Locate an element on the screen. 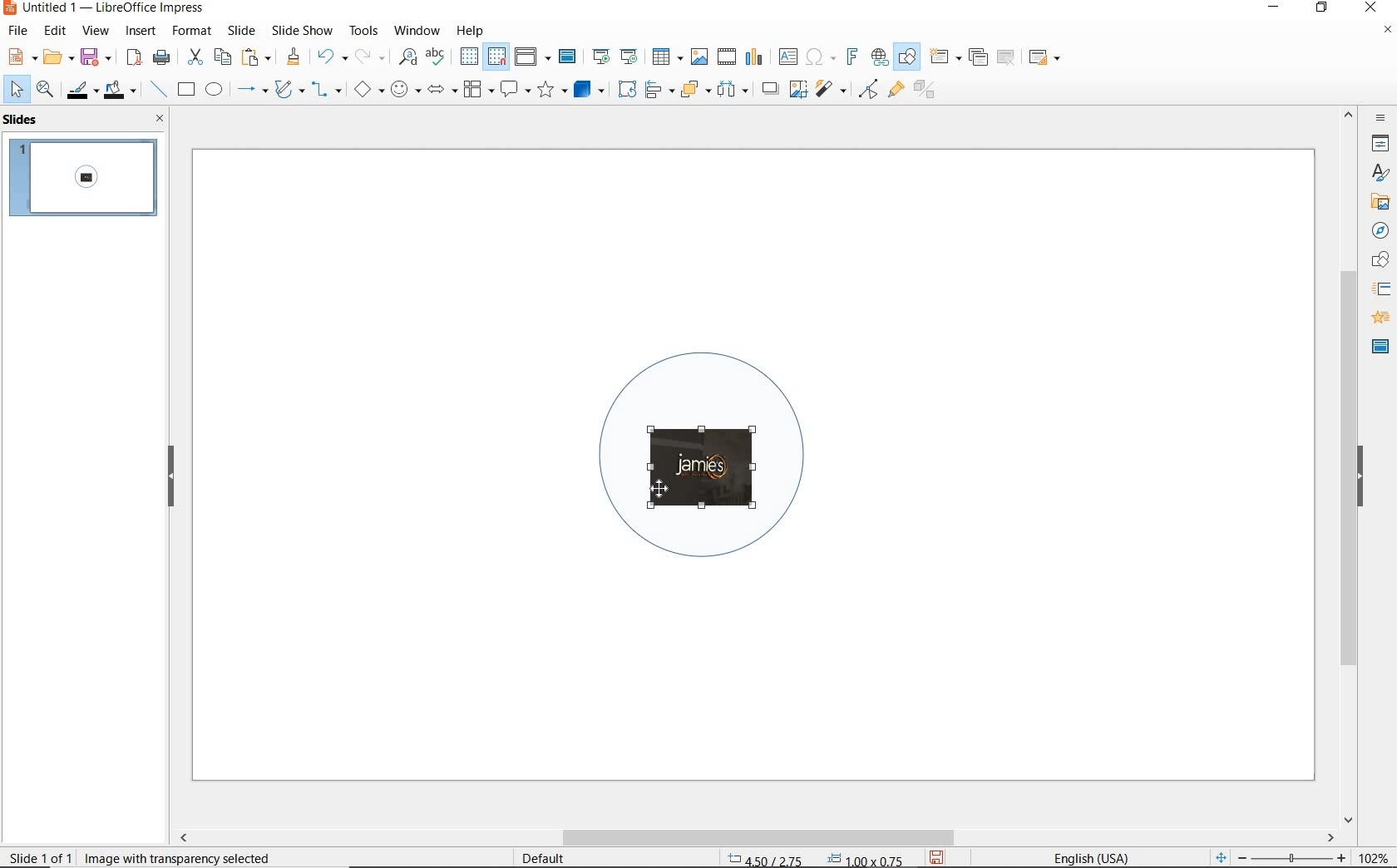 Image resolution: width=1397 pixels, height=868 pixels. slide 1 of 1 is located at coordinates (42, 854).